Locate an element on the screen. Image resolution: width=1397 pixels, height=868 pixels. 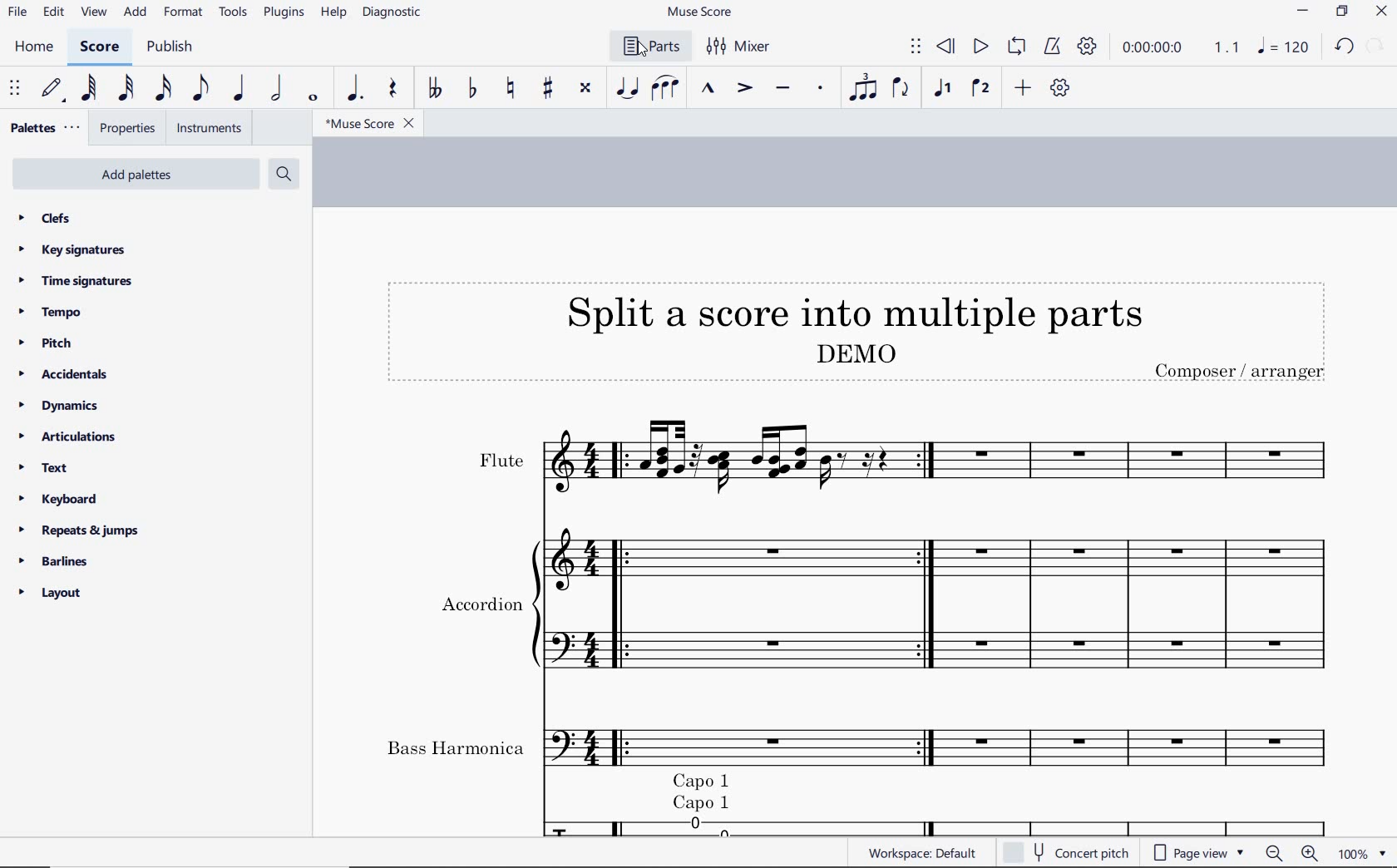
file name is located at coordinates (373, 124).